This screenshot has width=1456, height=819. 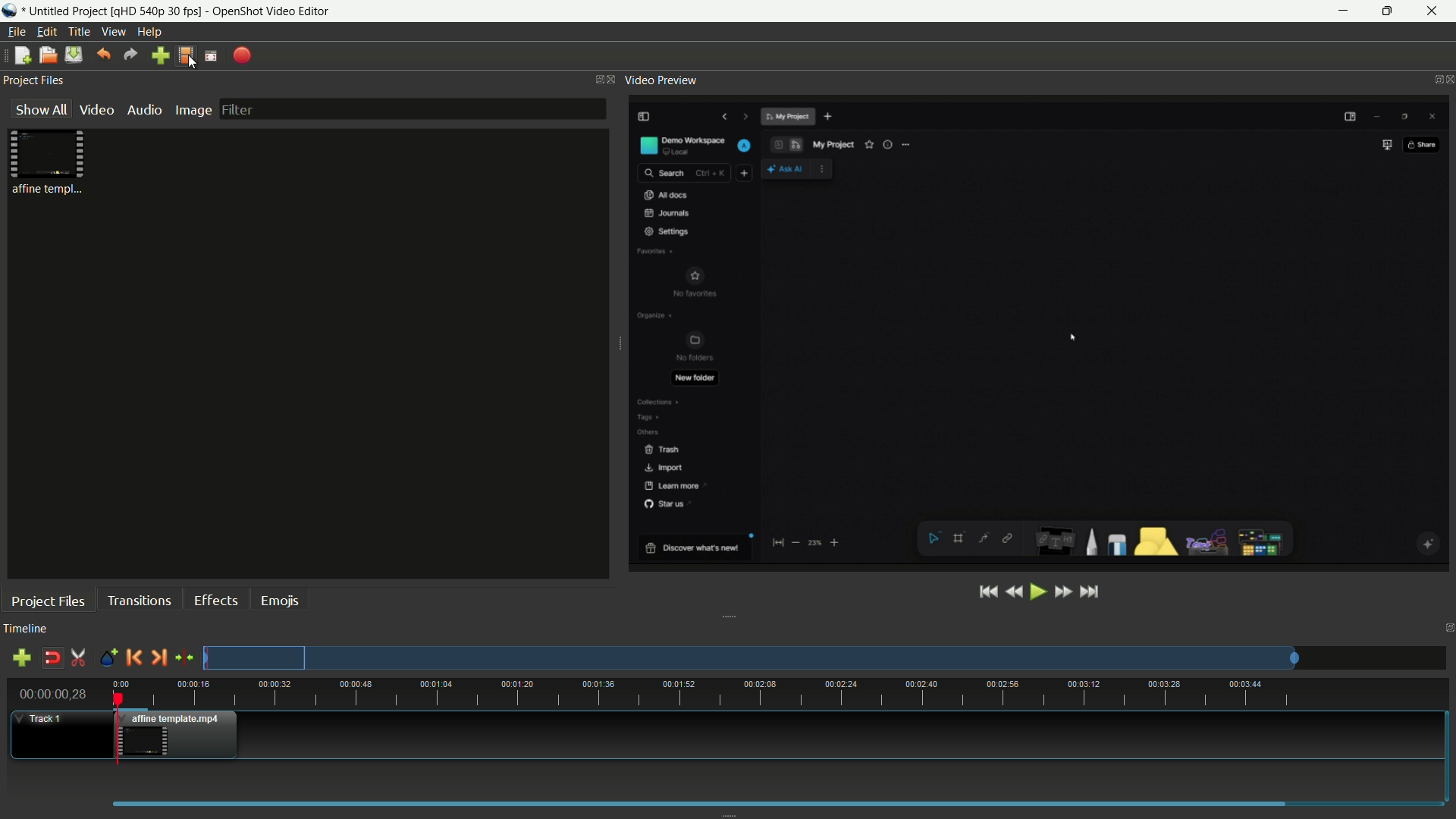 What do you see at coordinates (1038, 593) in the screenshot?
I see `play or pause` at bounding box center [1038, 593].